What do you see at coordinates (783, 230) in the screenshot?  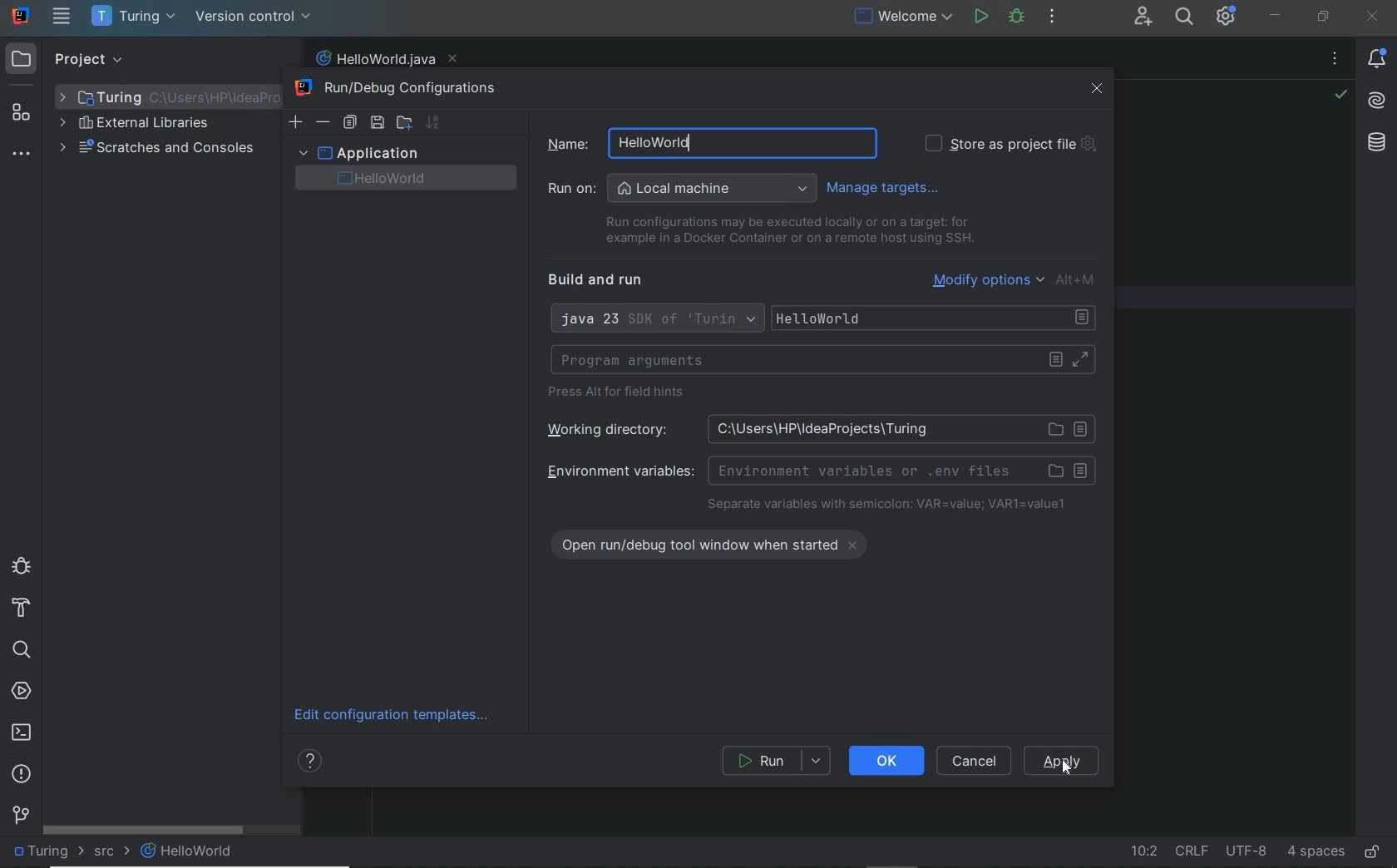 I see `run configurations may be executes` at bounding box center [783, 230].